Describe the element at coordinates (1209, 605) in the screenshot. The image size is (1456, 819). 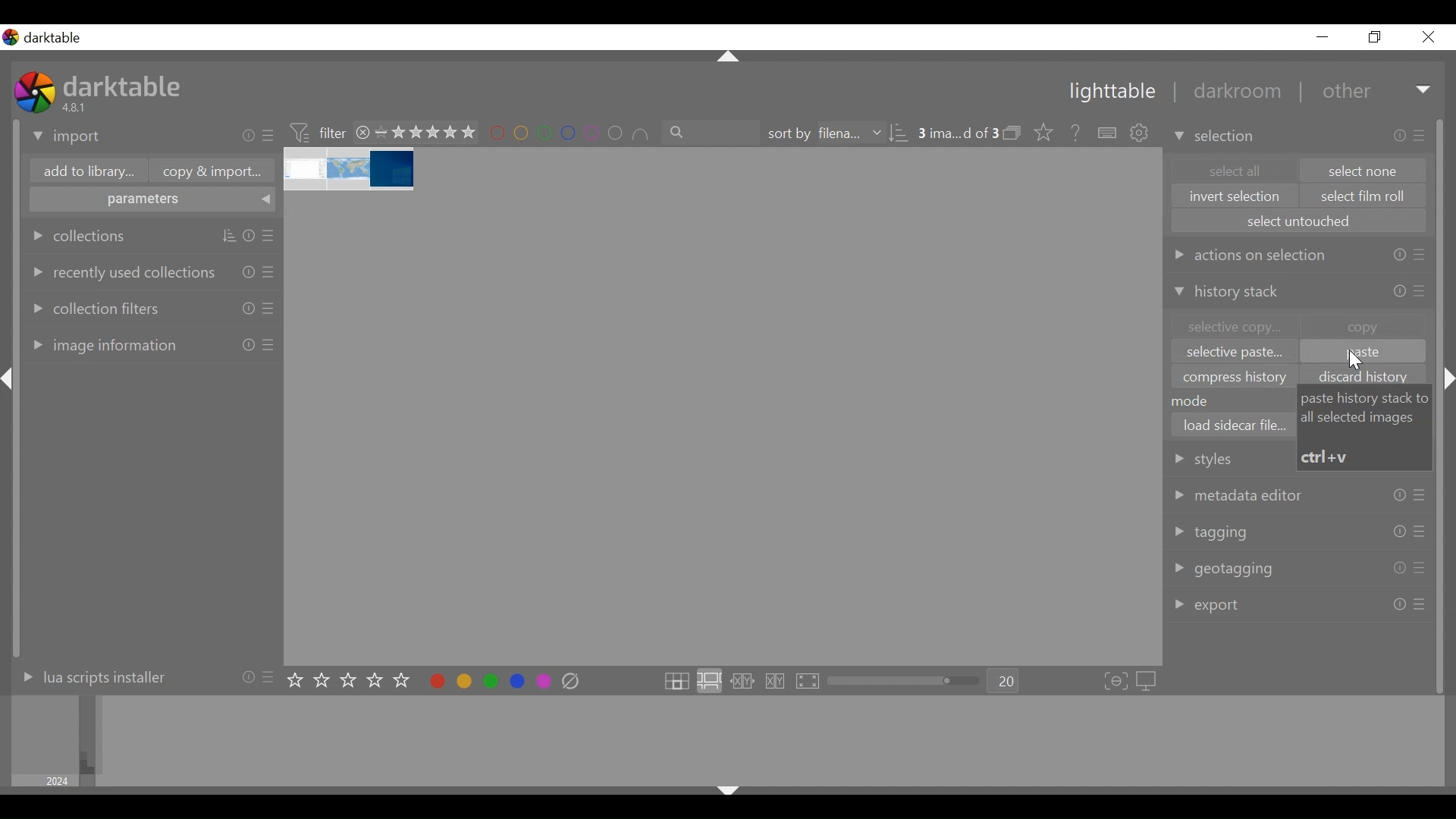
I see `export` at that location.